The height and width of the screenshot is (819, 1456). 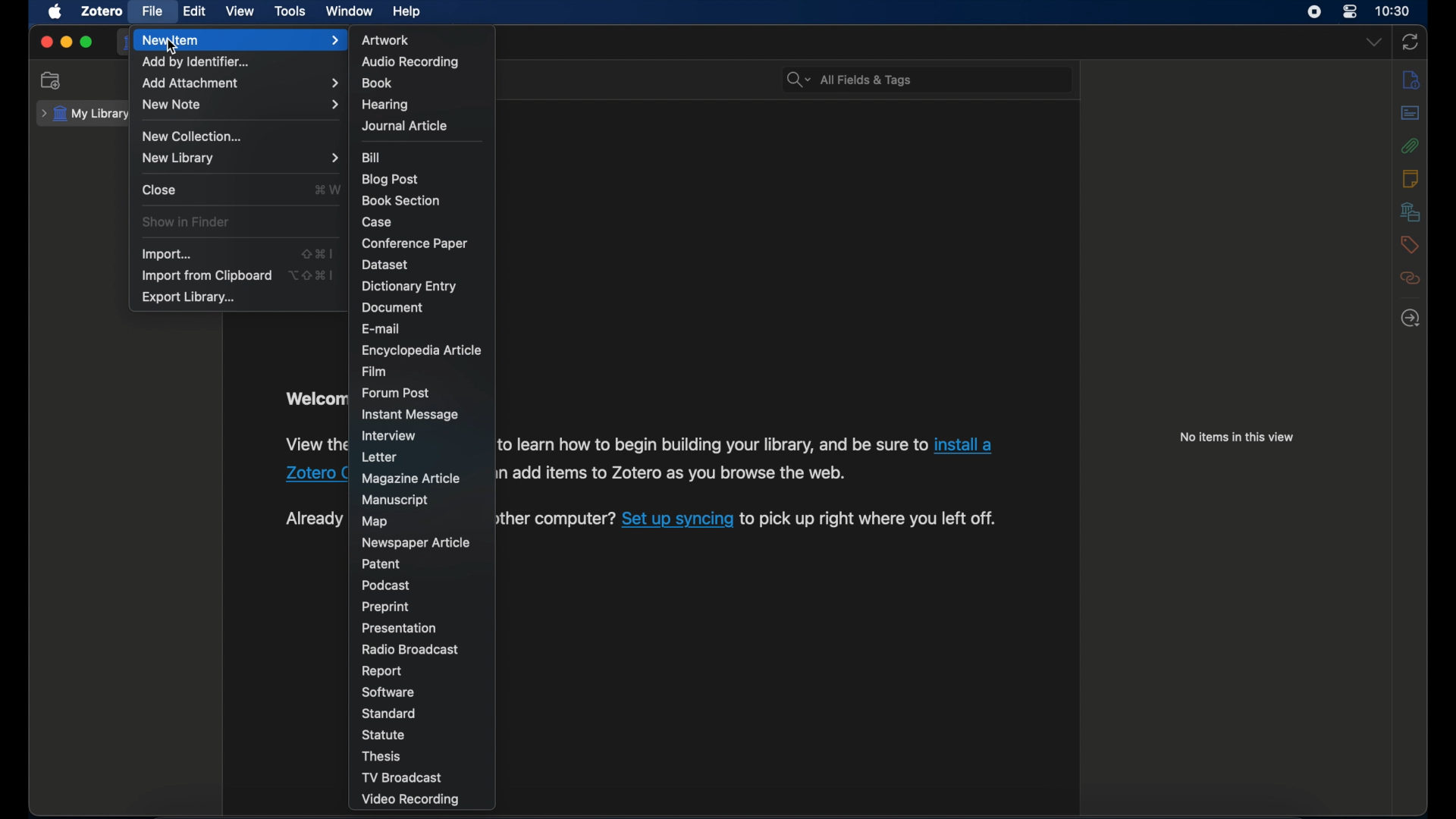 I want to click on , so click(x=670, y=472).